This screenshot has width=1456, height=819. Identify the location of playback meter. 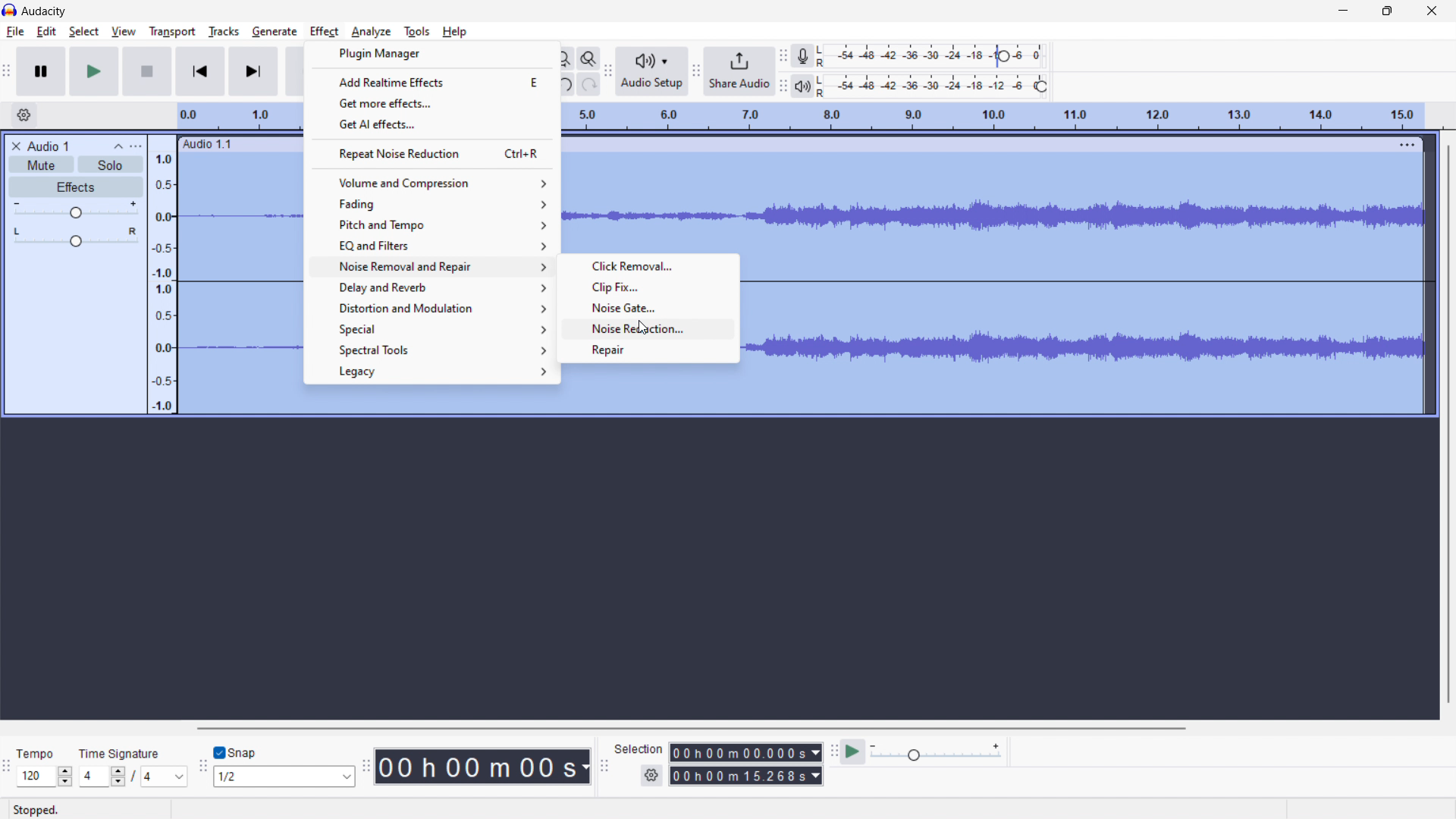
(802, 86).